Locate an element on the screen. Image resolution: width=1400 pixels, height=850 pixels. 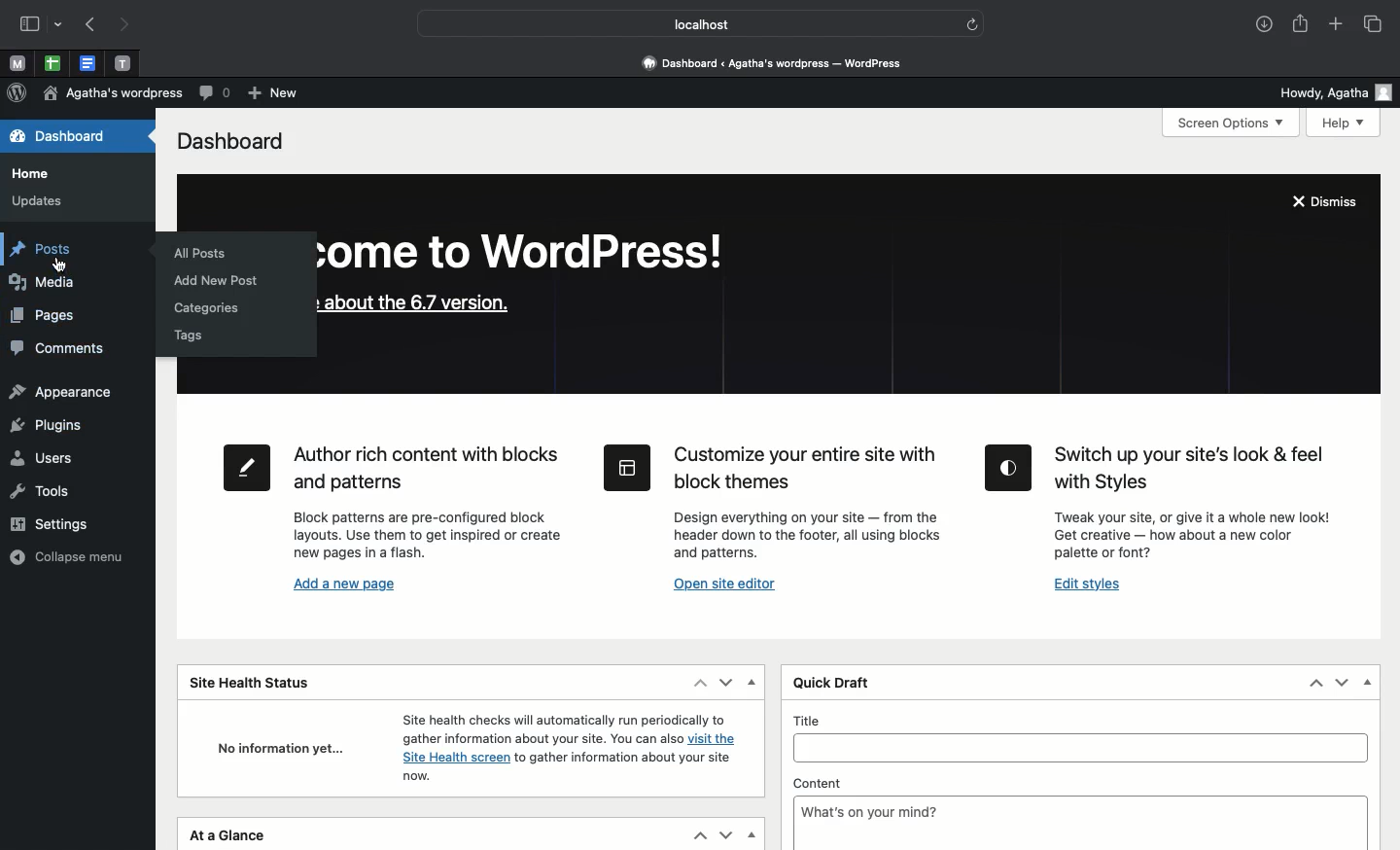
What's on your mind? is located at coordinates (1081, 822).